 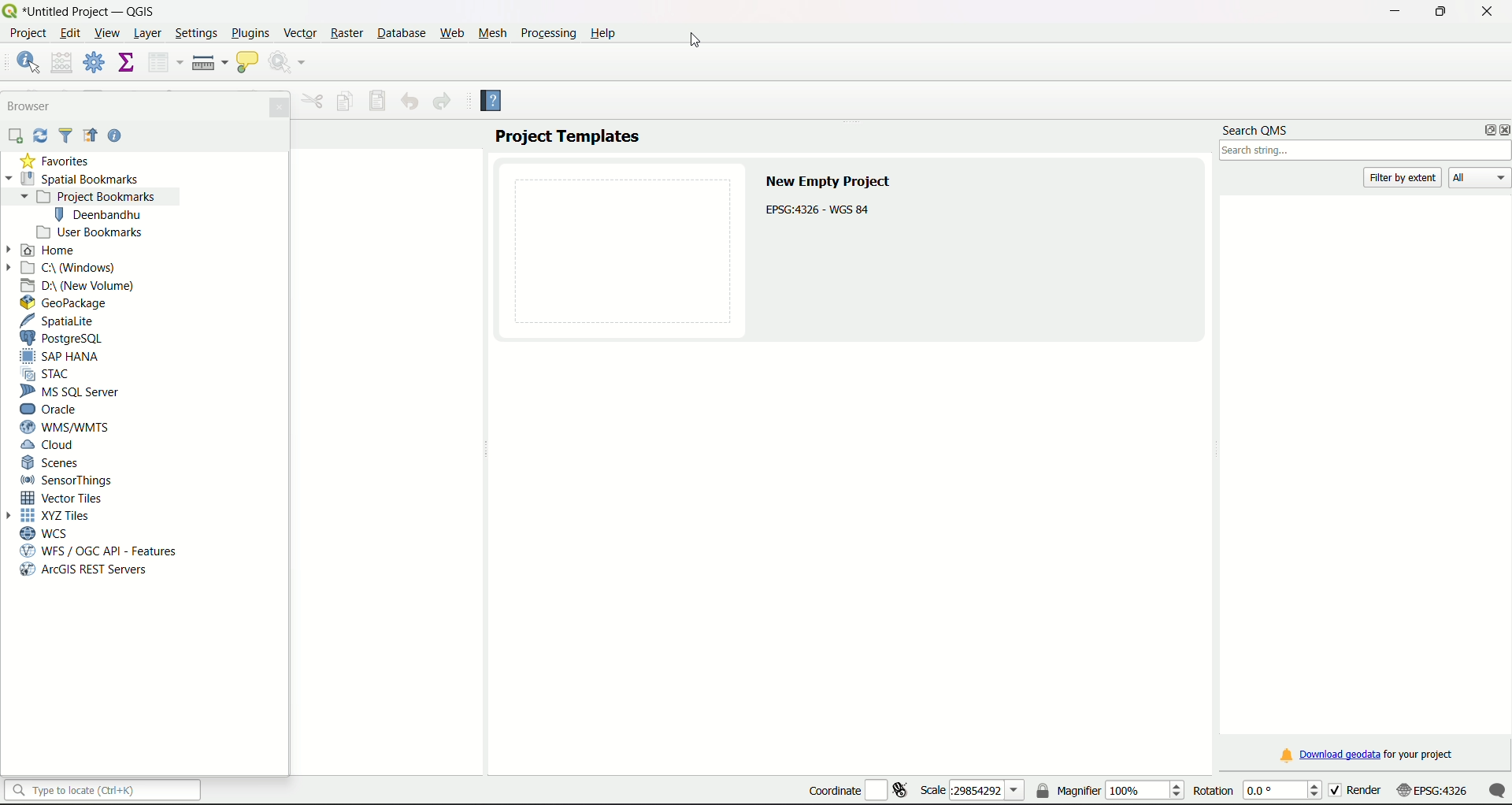 I want to click on Database, so click(x=399, y=33).